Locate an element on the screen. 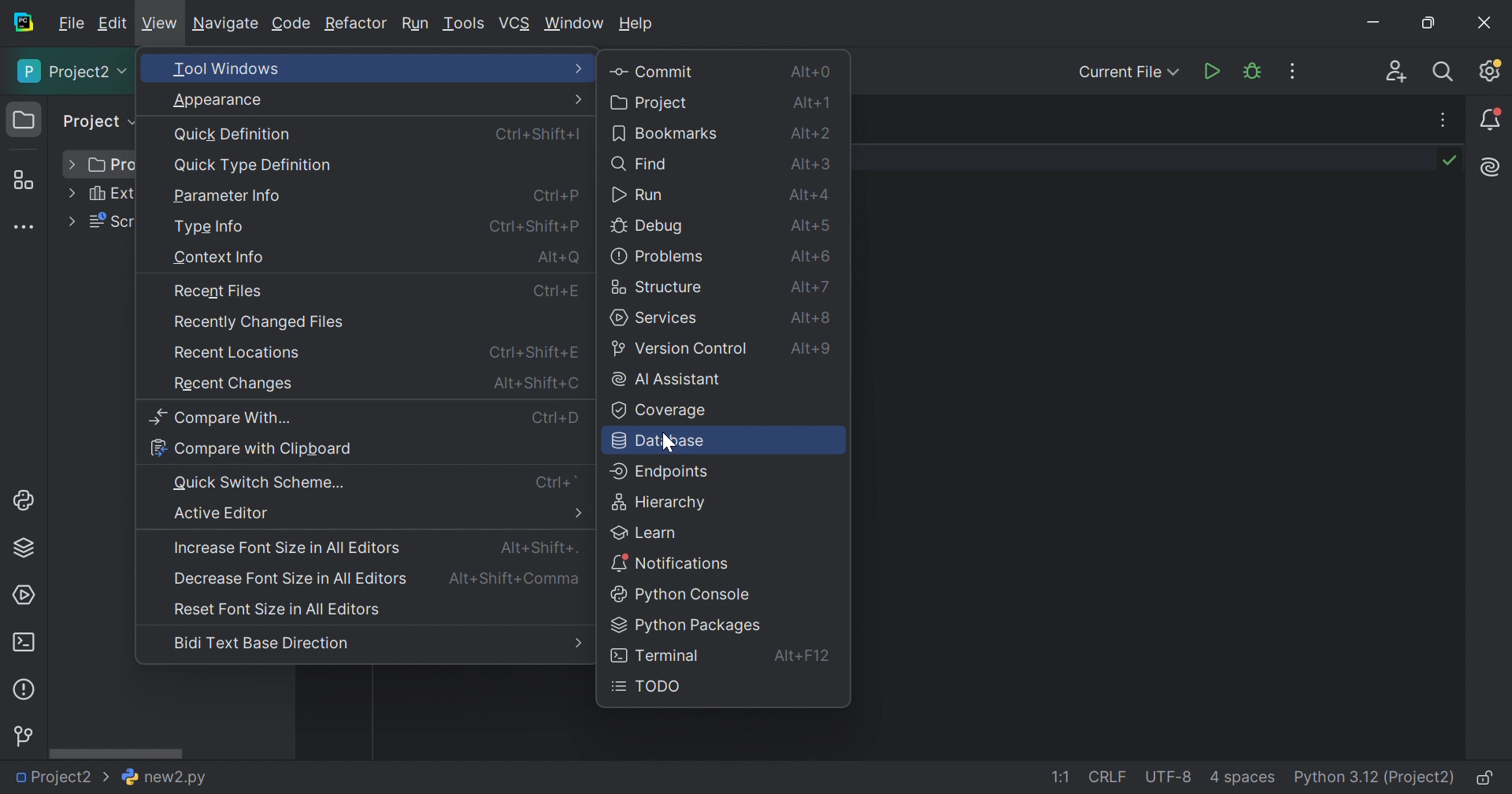 The image size is (1512, 794). Structure is located at coordinates (661, 287).